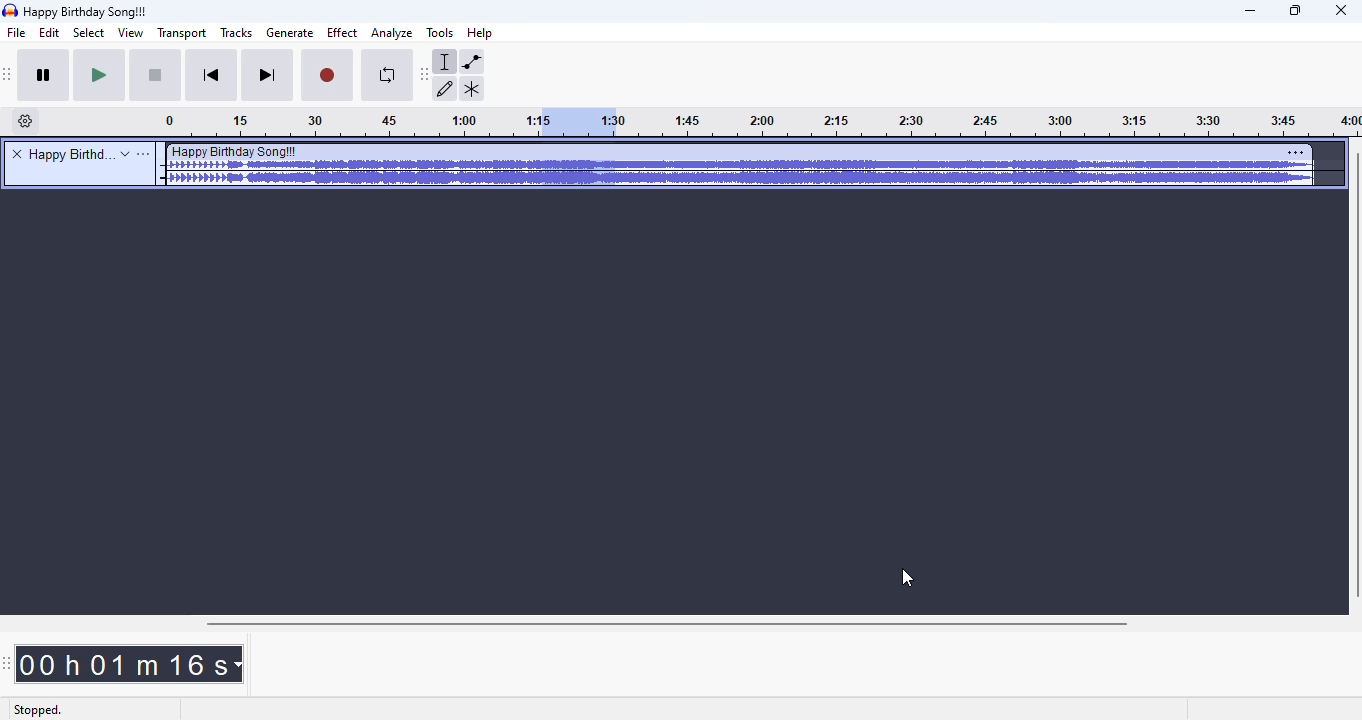 The image size is (1362, 720). Describe the element at coordinates (100, 76) in the screenshot. I see `play` at that location.